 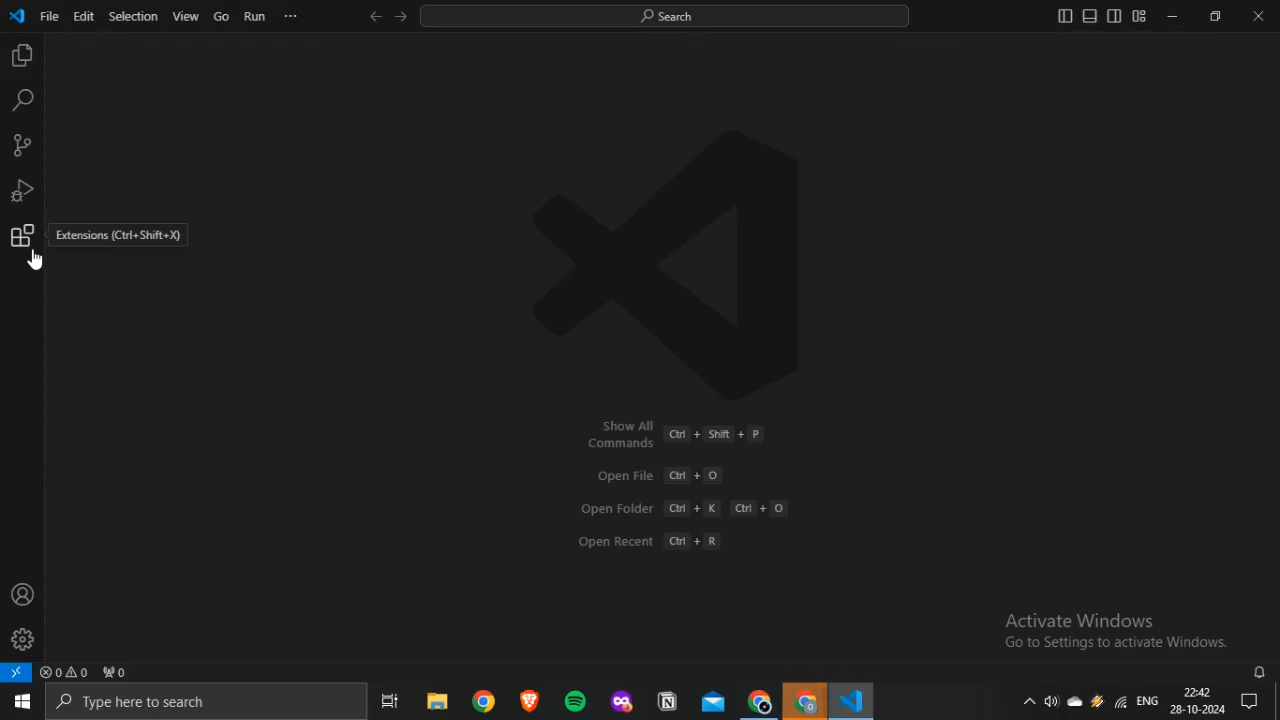 What do you see at coordinates (1172, 16) in the screenshot?
I see `minimize` at bounding box center [1172, 16].